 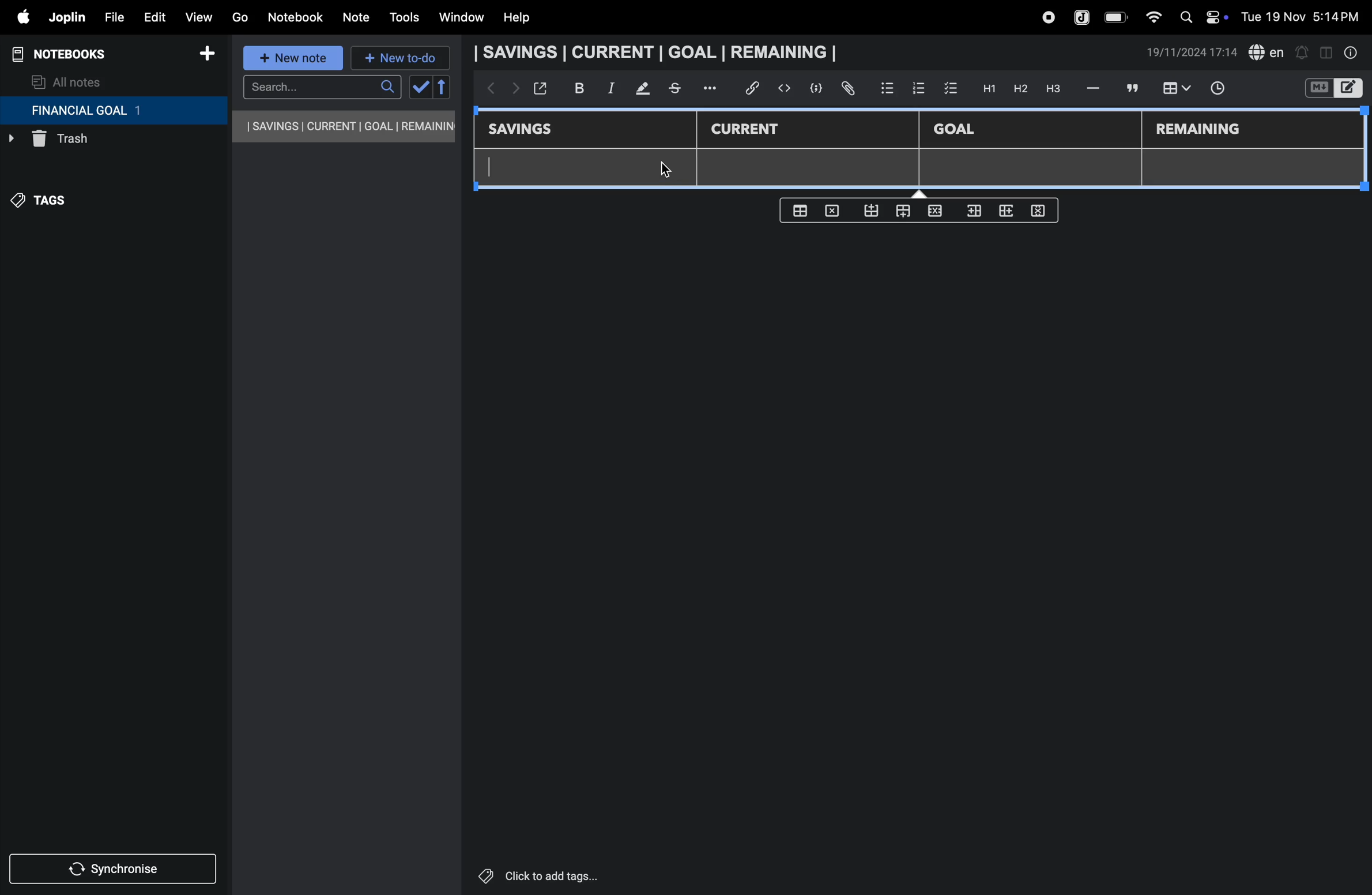 I want to click on delete, so click(x=835, y=210).